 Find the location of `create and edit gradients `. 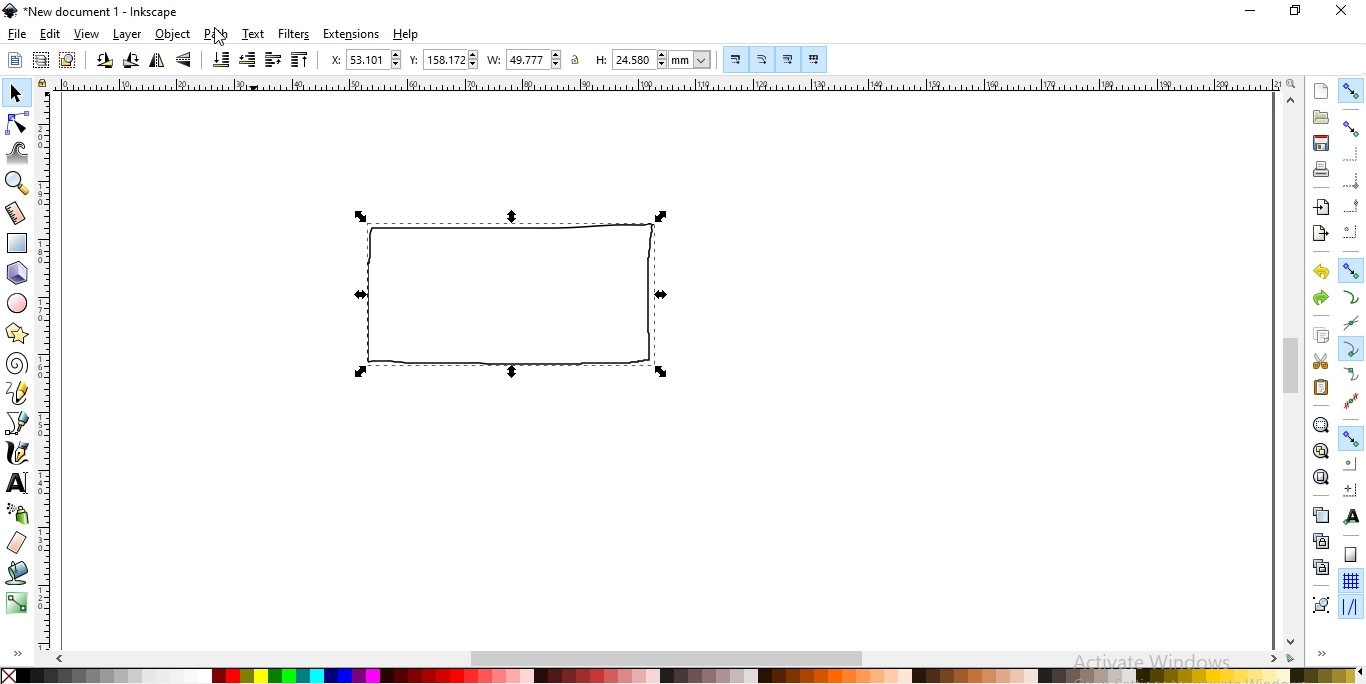

create and edit gradients  is located at coordinates (18, 601).